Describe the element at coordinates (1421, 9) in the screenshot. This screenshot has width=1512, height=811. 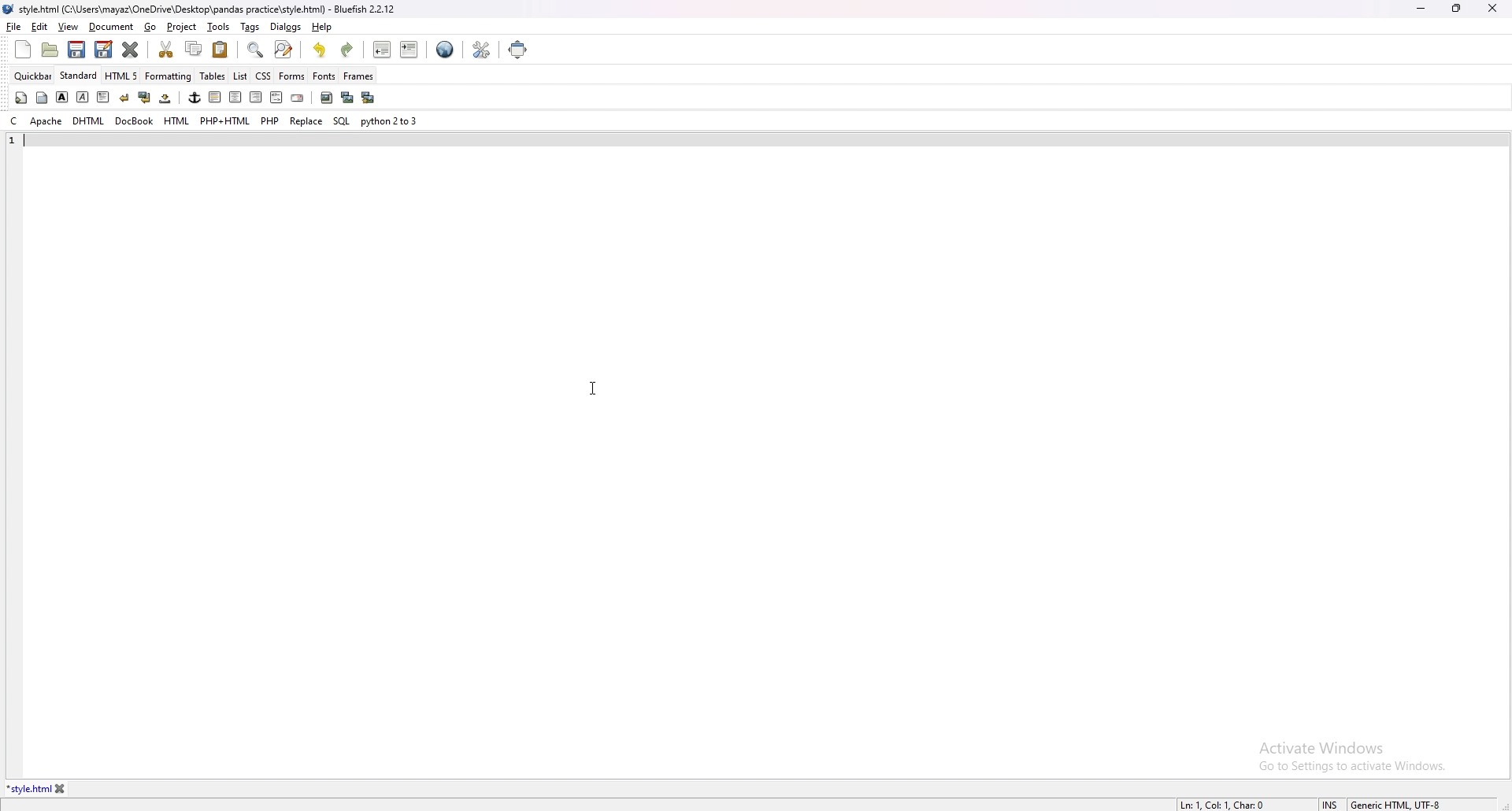
I see `minimize` at that location.